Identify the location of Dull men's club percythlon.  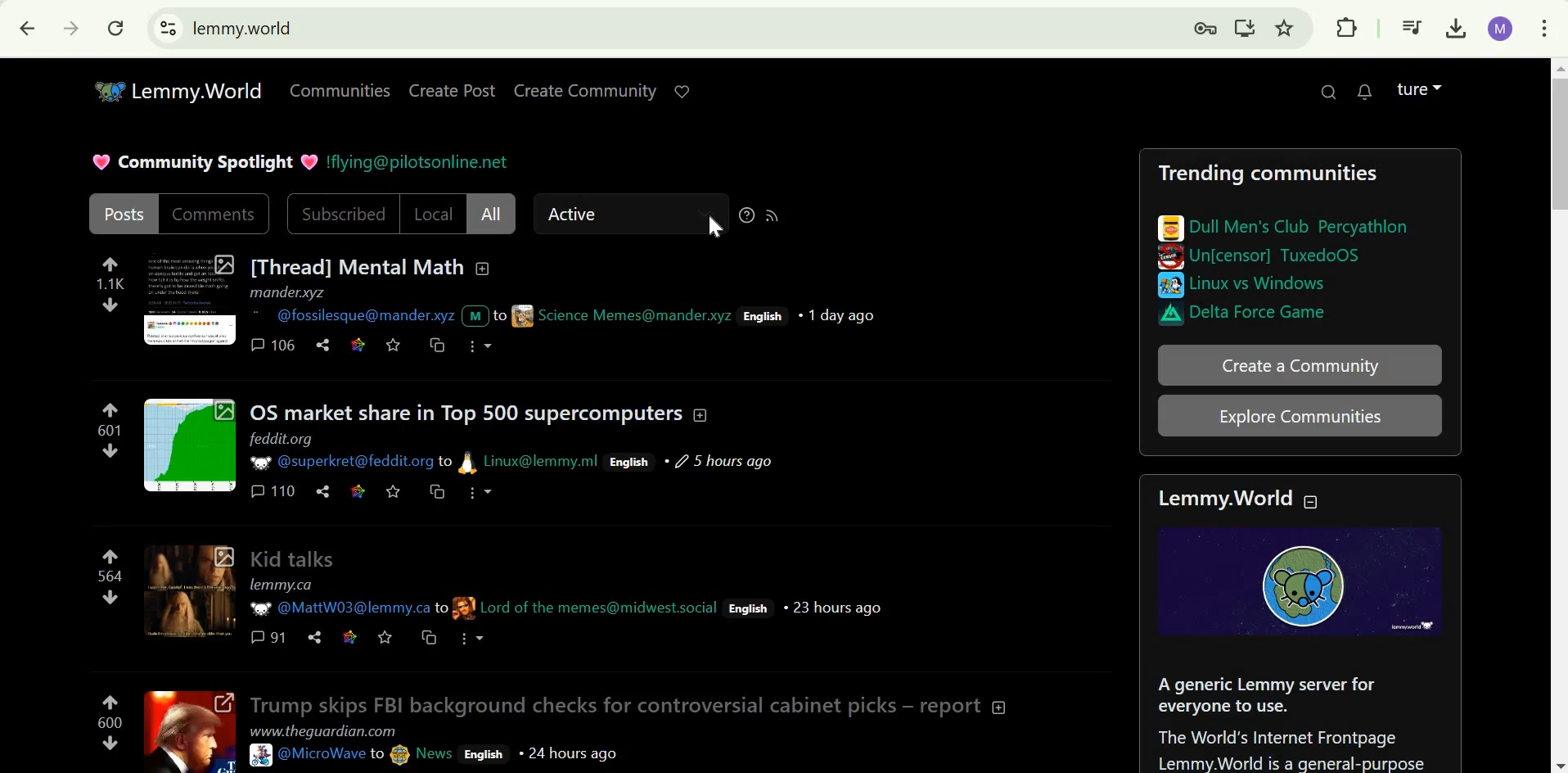
(1300, 224).